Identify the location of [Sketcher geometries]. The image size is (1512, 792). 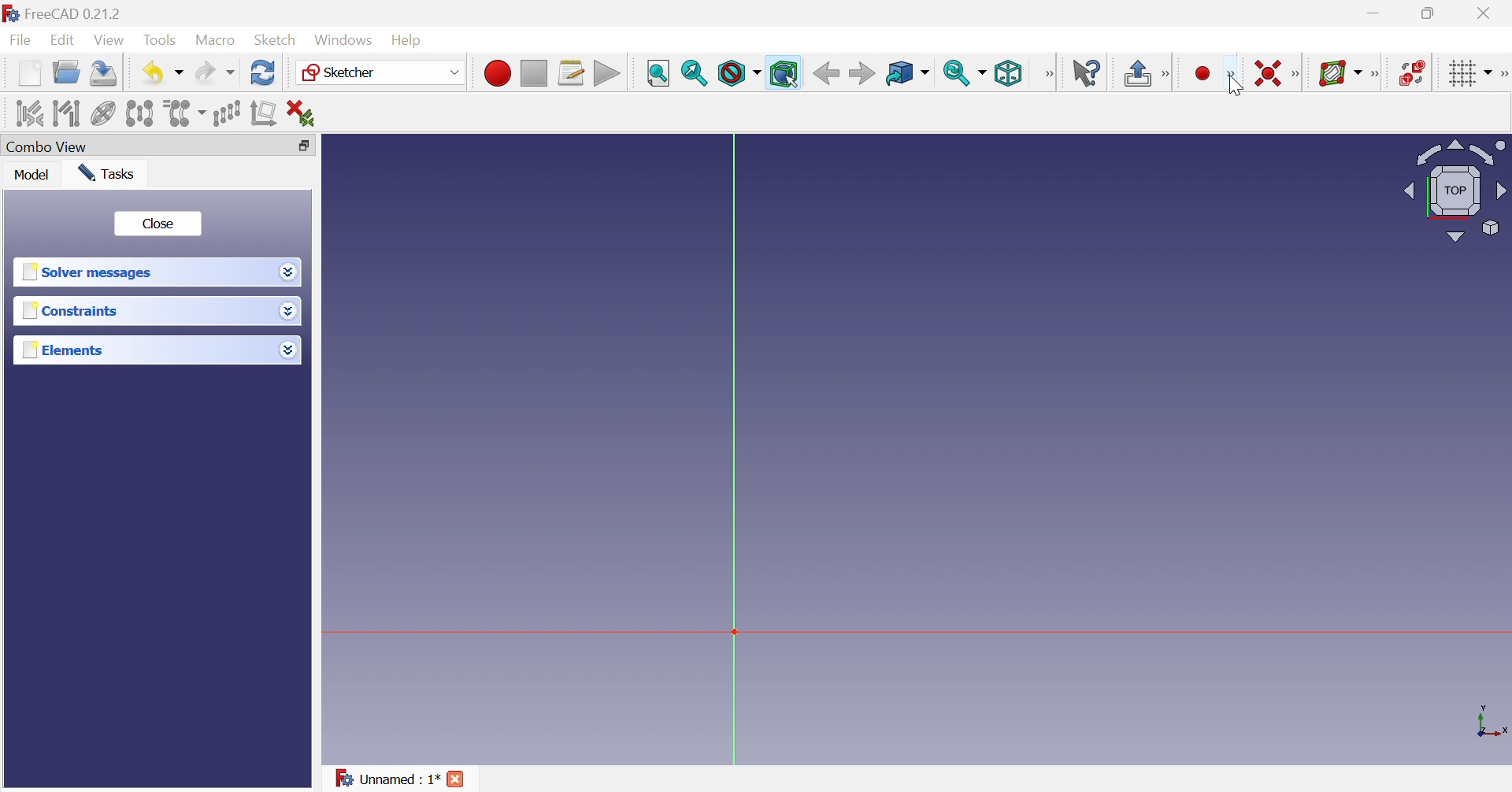
(1232, 75).